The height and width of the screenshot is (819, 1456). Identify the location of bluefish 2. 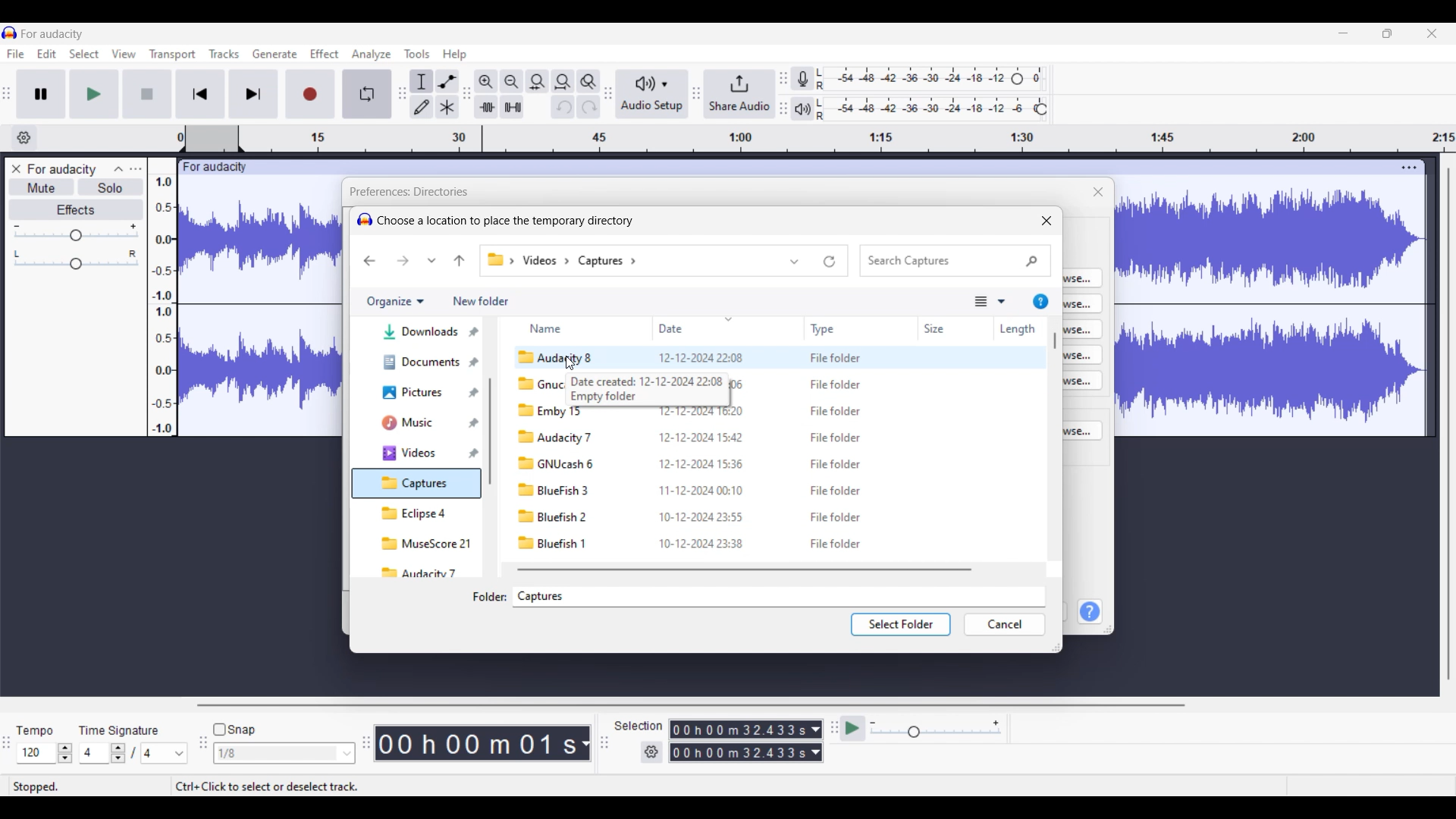
(554, 516).